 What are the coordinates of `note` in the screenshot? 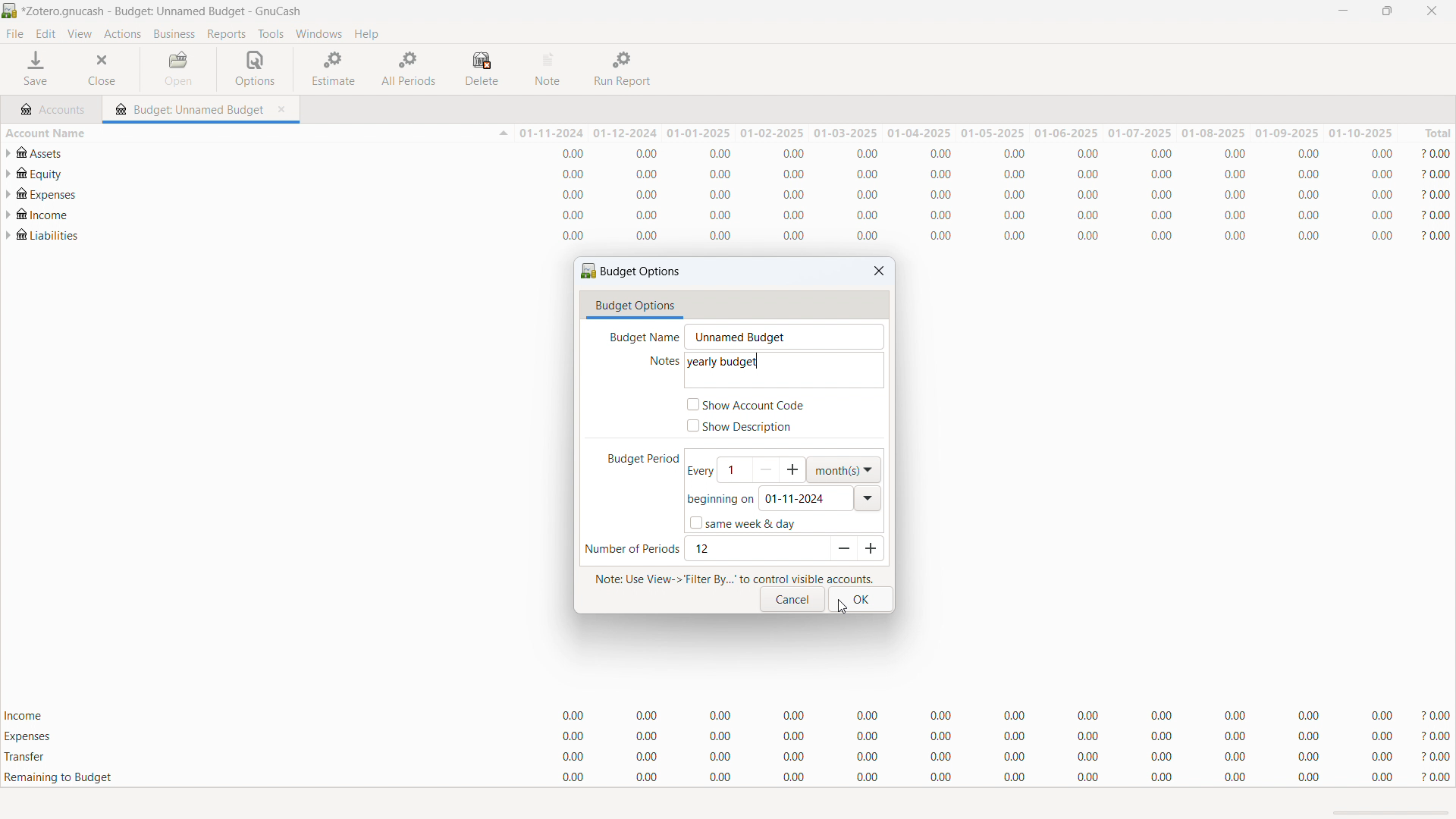 It's located at (550, 69).